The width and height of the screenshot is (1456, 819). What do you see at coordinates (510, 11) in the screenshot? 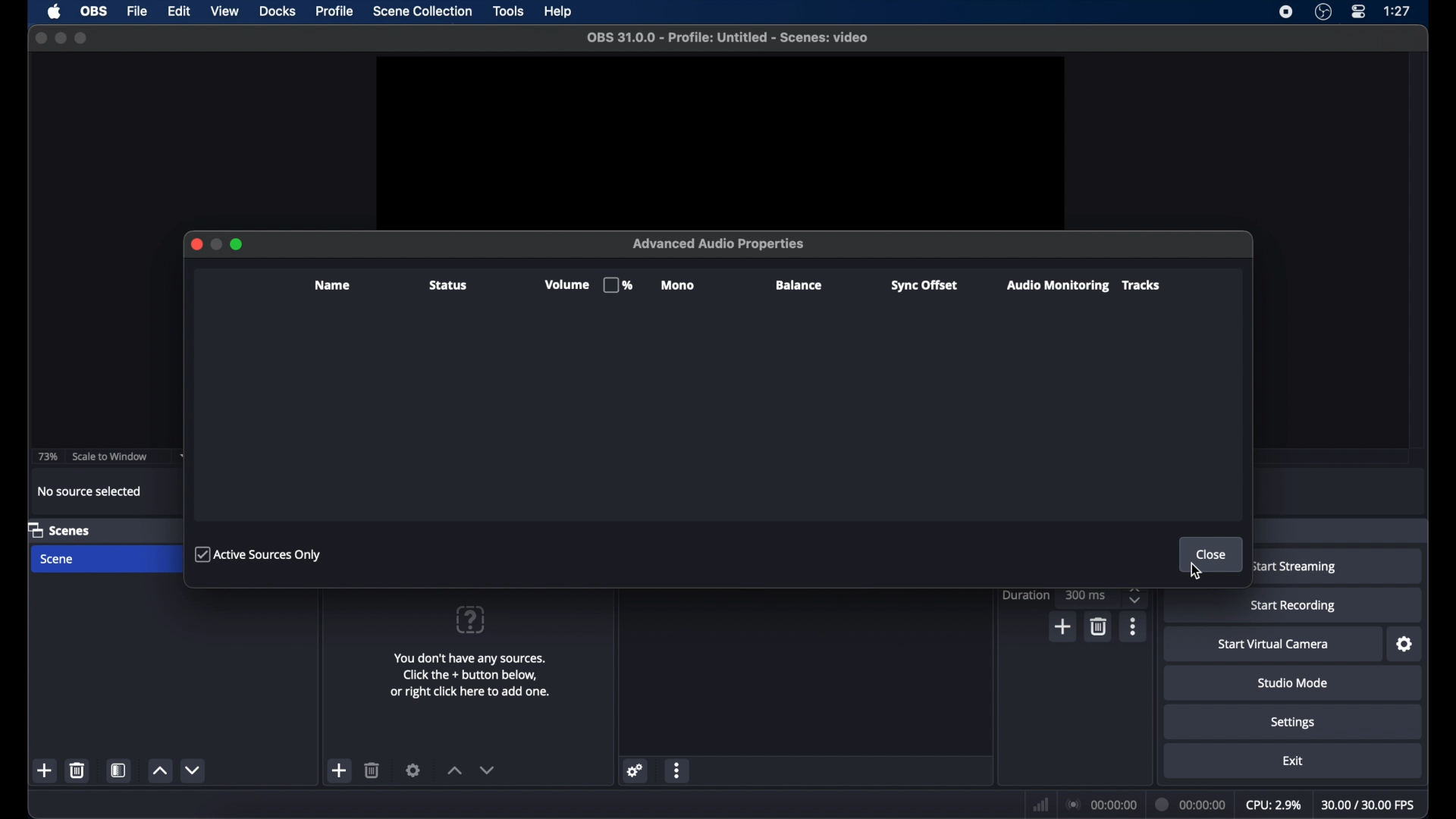
I see `tools` at bounding box center [510, 11].